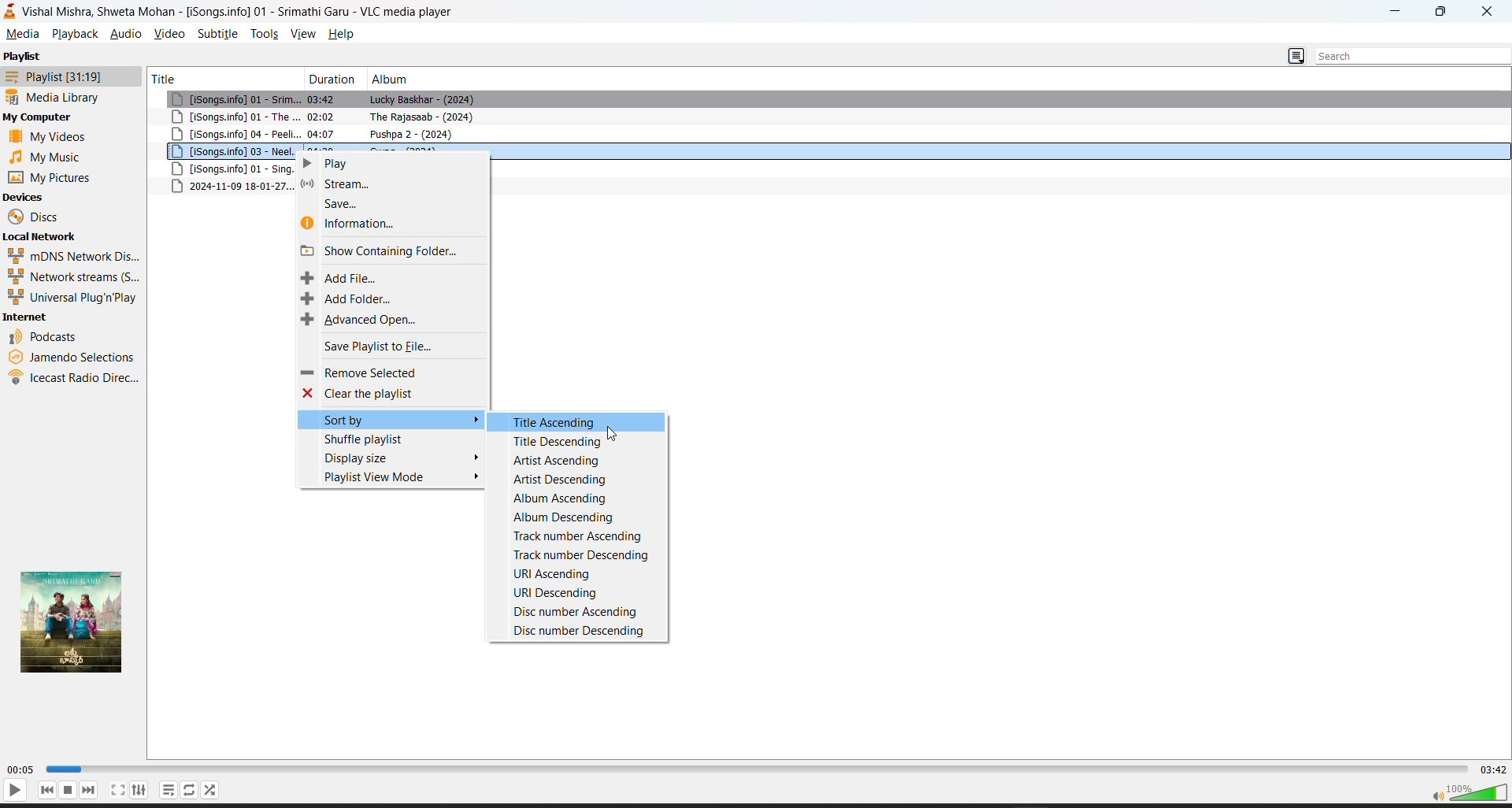  Describe the element at coordinates (395, 202) in the screenshot. I see `save` at that location.